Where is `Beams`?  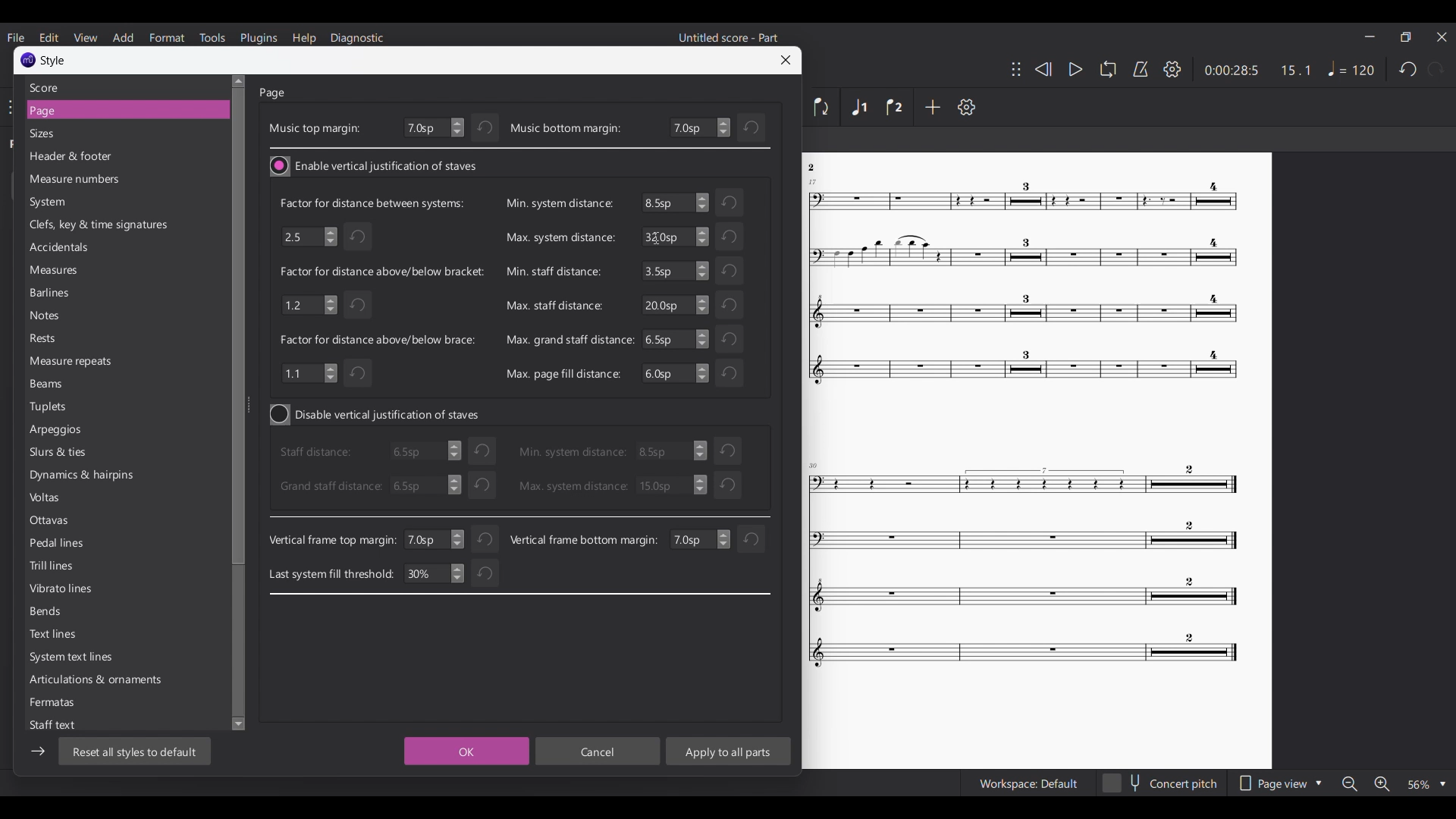 Beams is located at coordinates (73, 385).